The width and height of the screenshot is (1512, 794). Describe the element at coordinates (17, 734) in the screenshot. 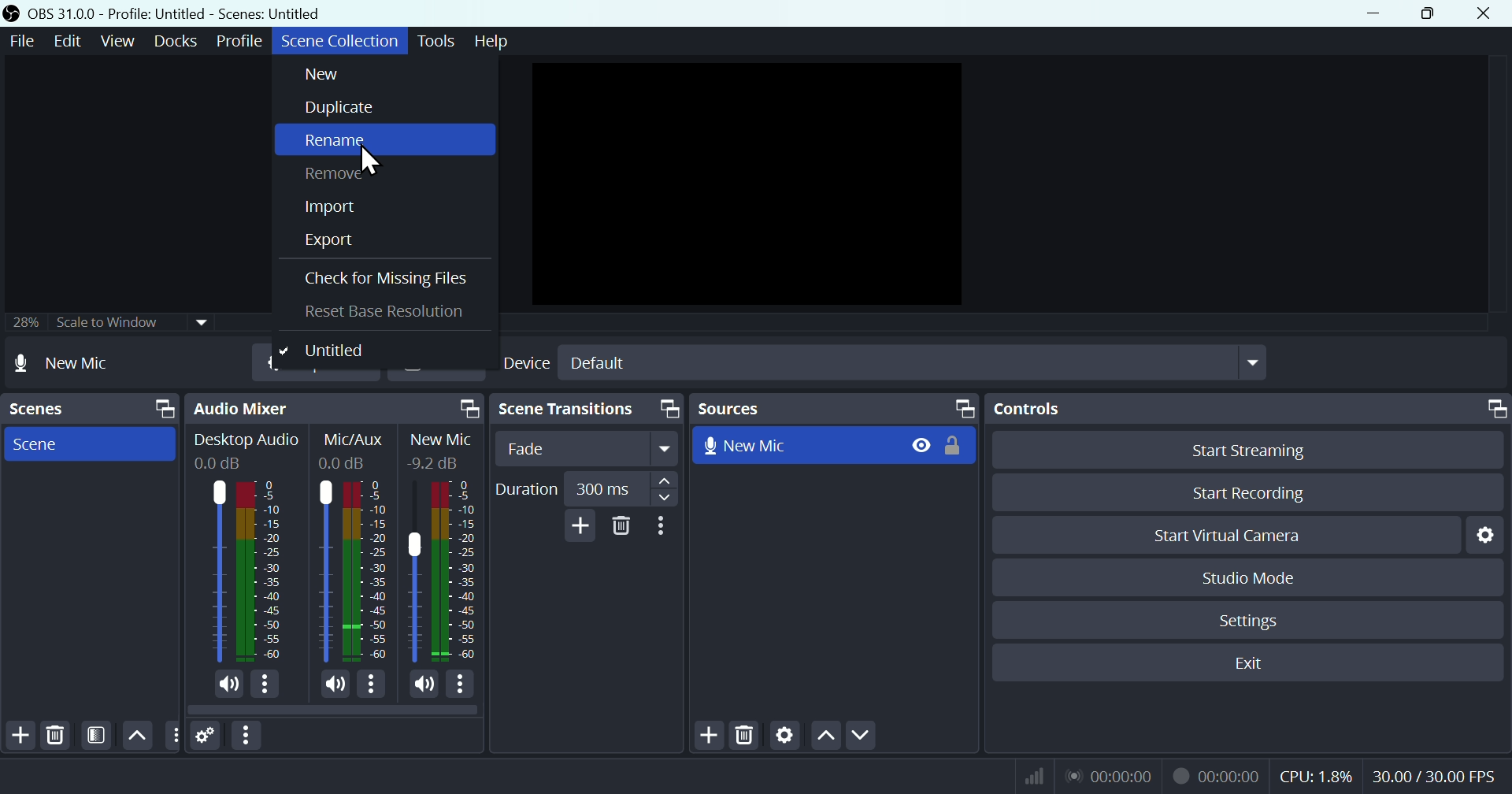

I see `Add` at that location.